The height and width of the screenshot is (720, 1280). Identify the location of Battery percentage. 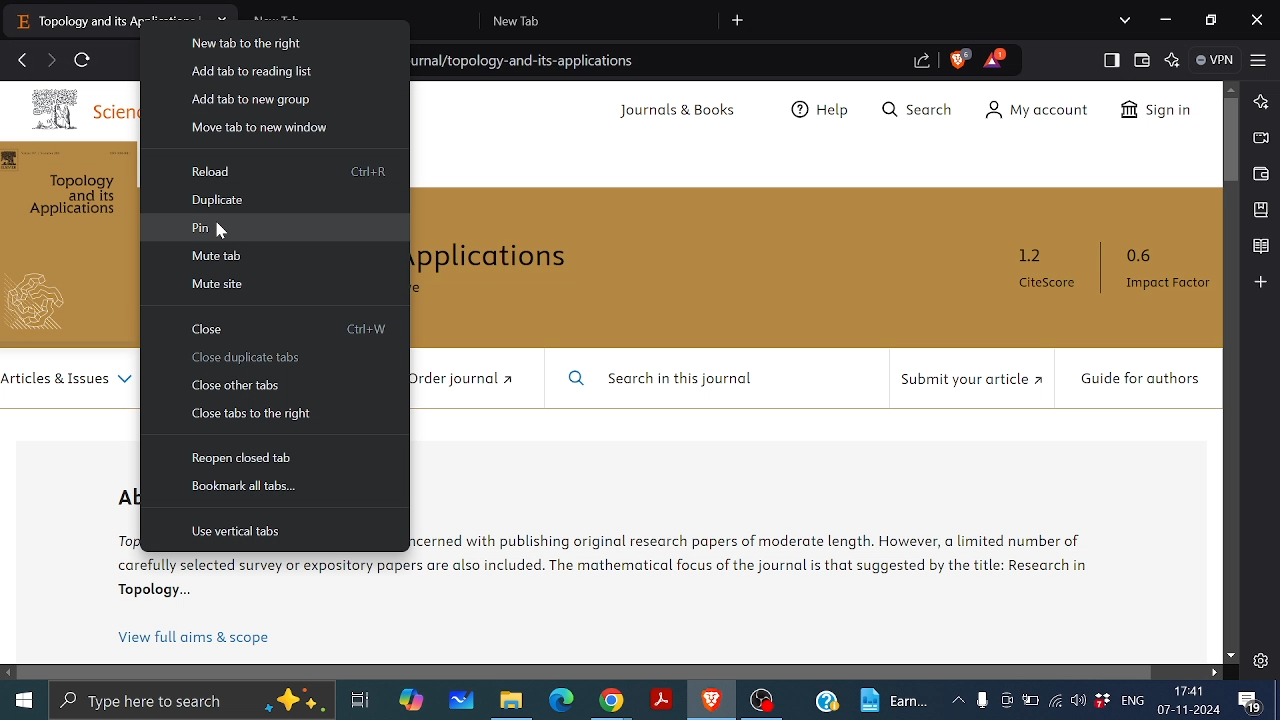
(1029, 700).